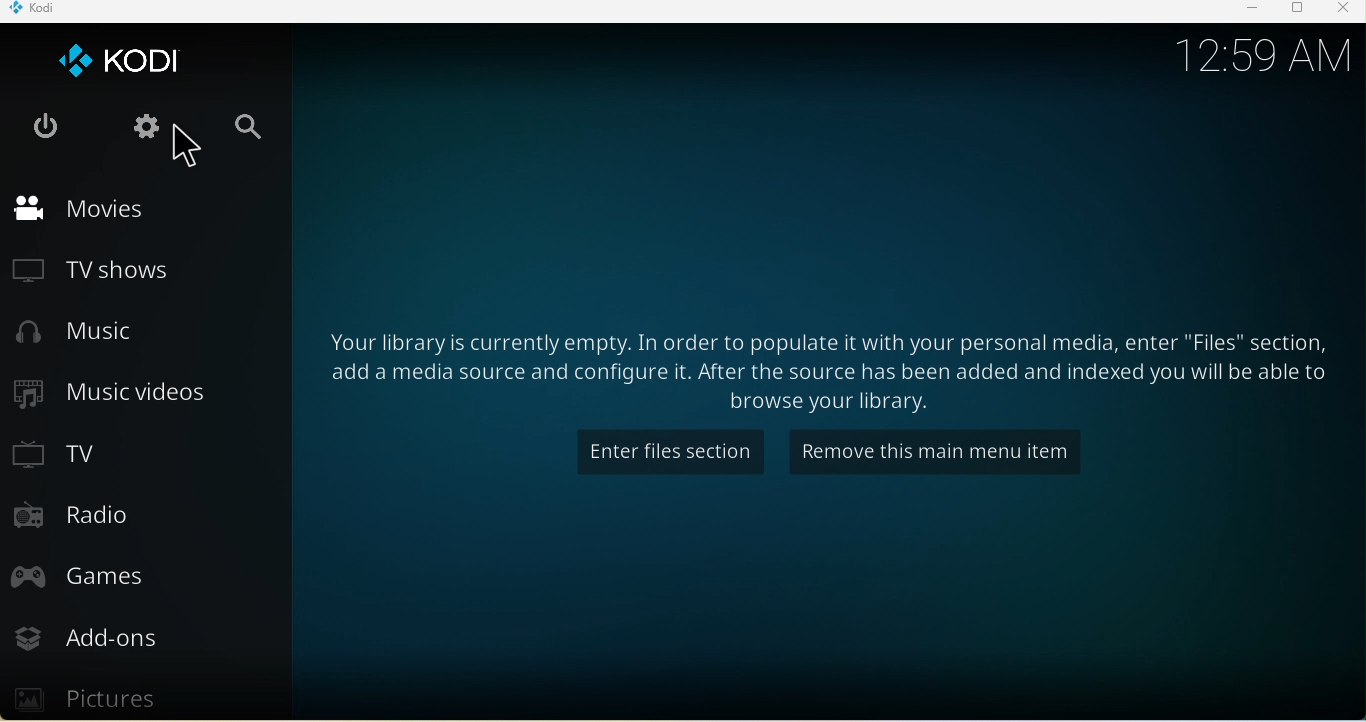 This screenshot has height=722, width=1366. What do you see at coordinates (103, 333) in the screenshot?
I see `Music` at bounding box center [103, 333].